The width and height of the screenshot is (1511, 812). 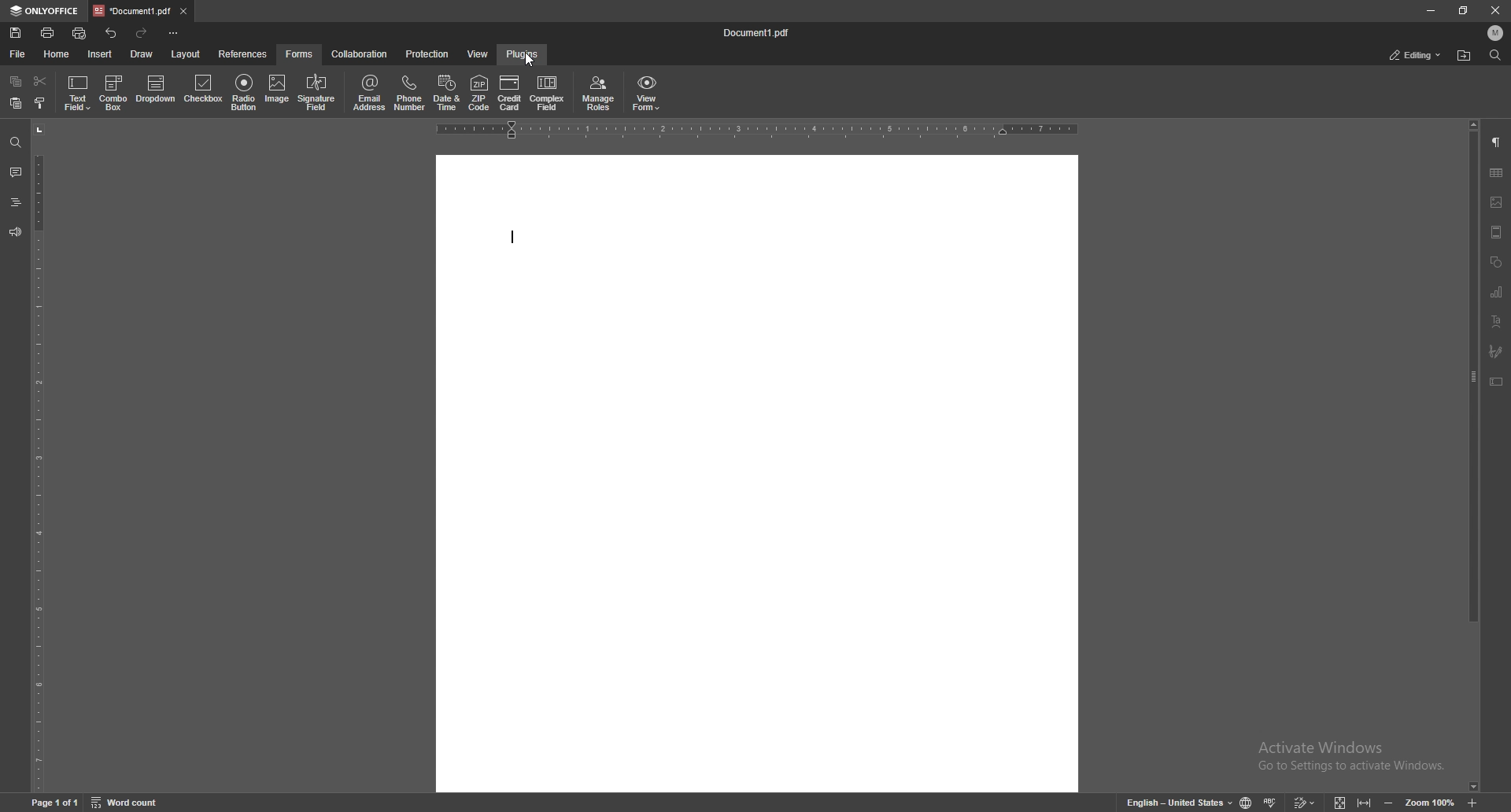 I want to click on paste, so click(x=16, y=104).